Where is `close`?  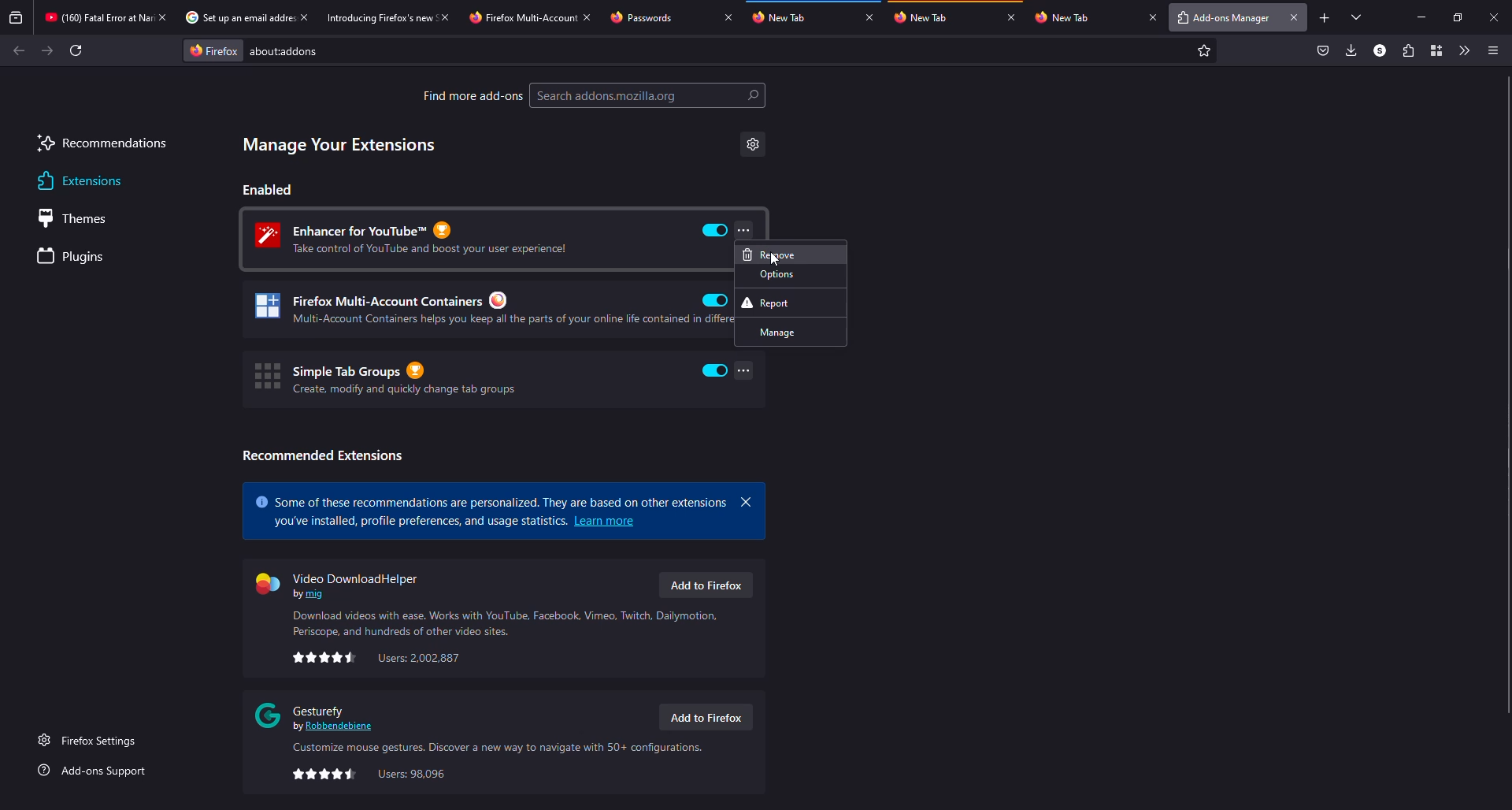 close is located at coordinates (304, 17).